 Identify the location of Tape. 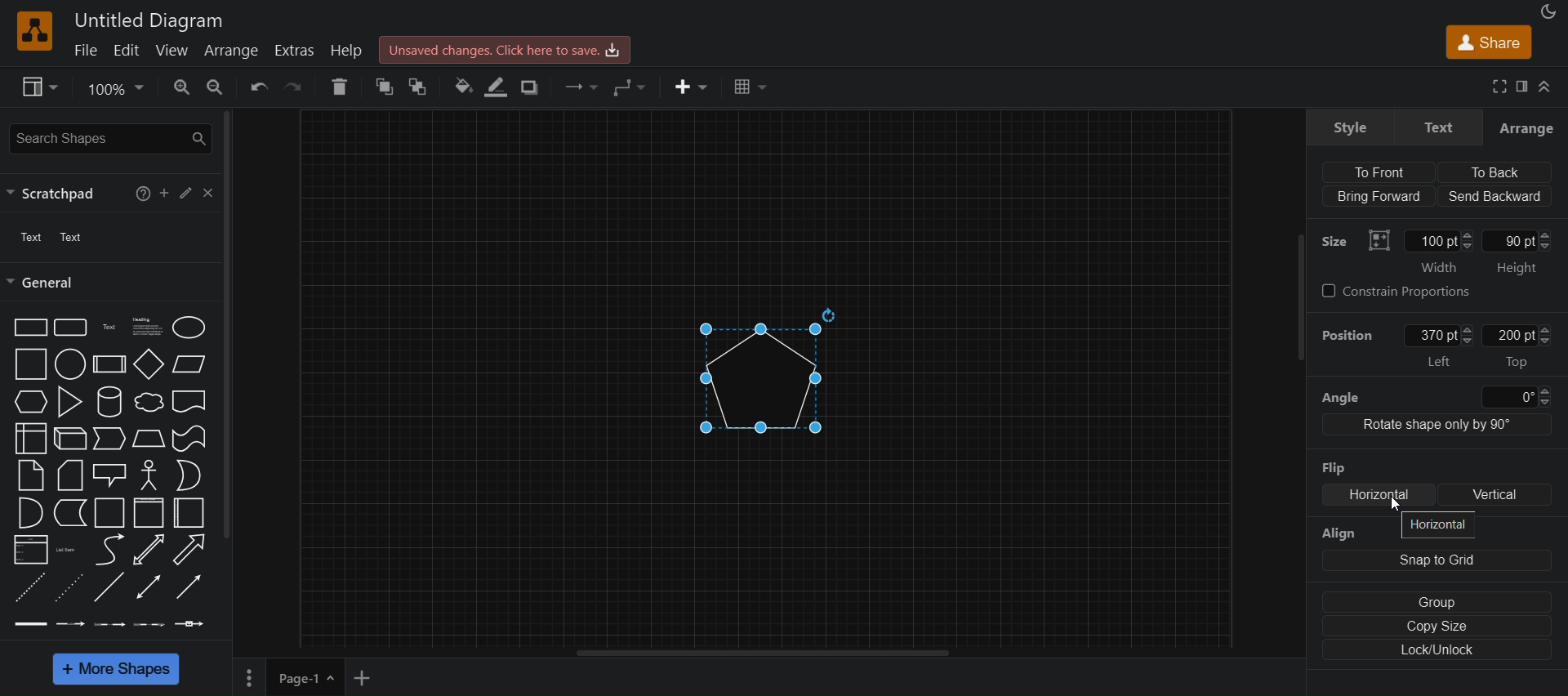
(189, 439).